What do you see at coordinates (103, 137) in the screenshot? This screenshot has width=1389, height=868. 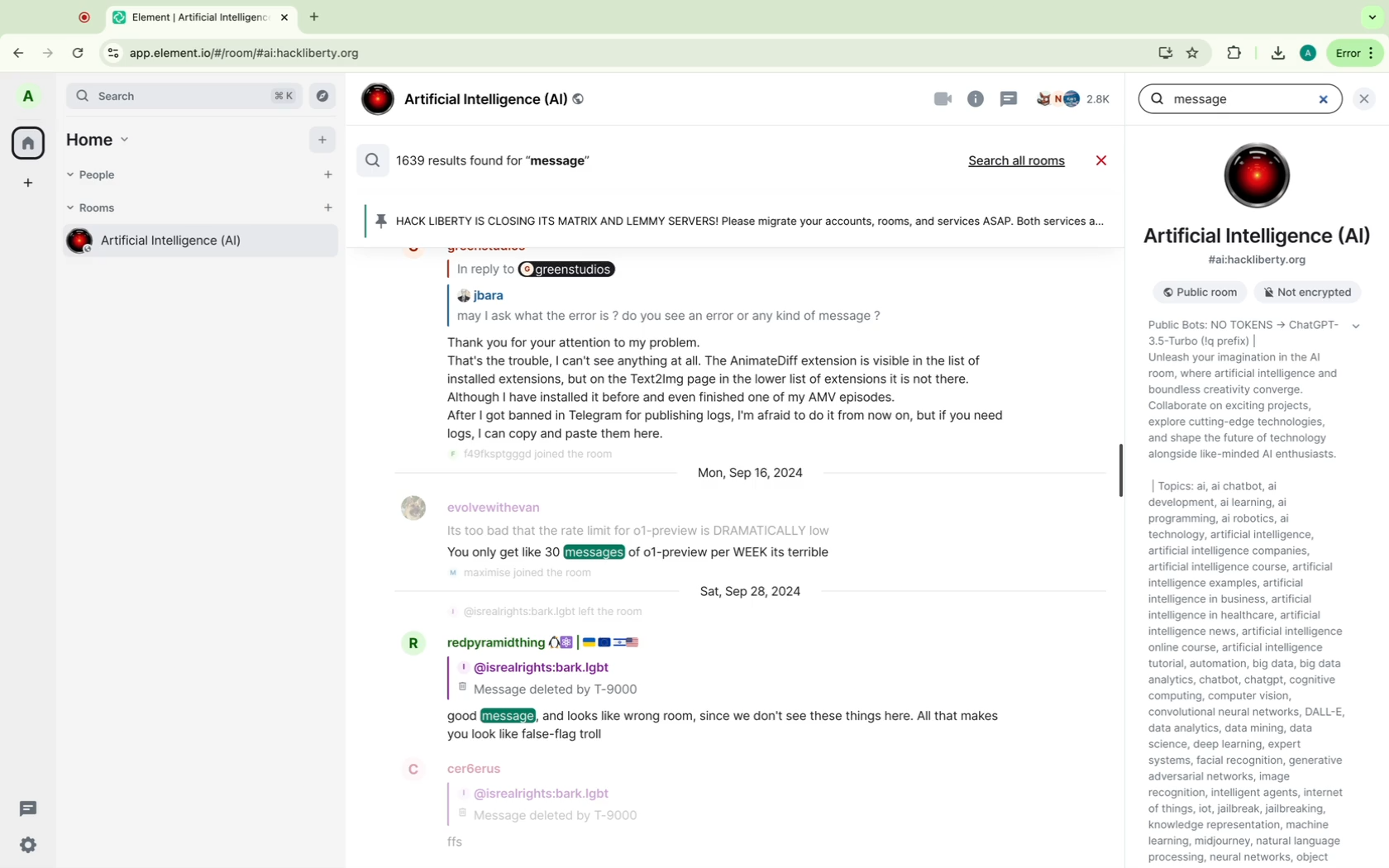 I see `home` at bounding box center [103, 137].